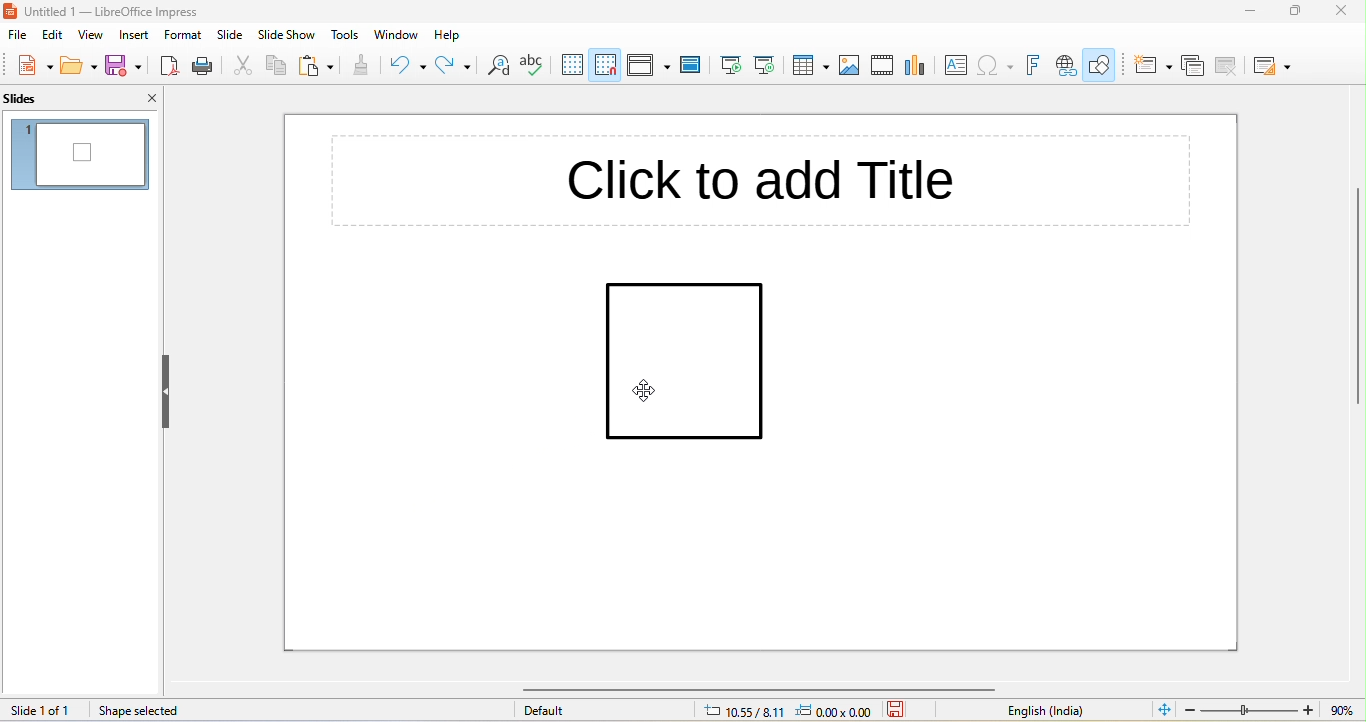  Describe the element at coordinates (166, 392) in the screenshot. I see `hide` at that location.